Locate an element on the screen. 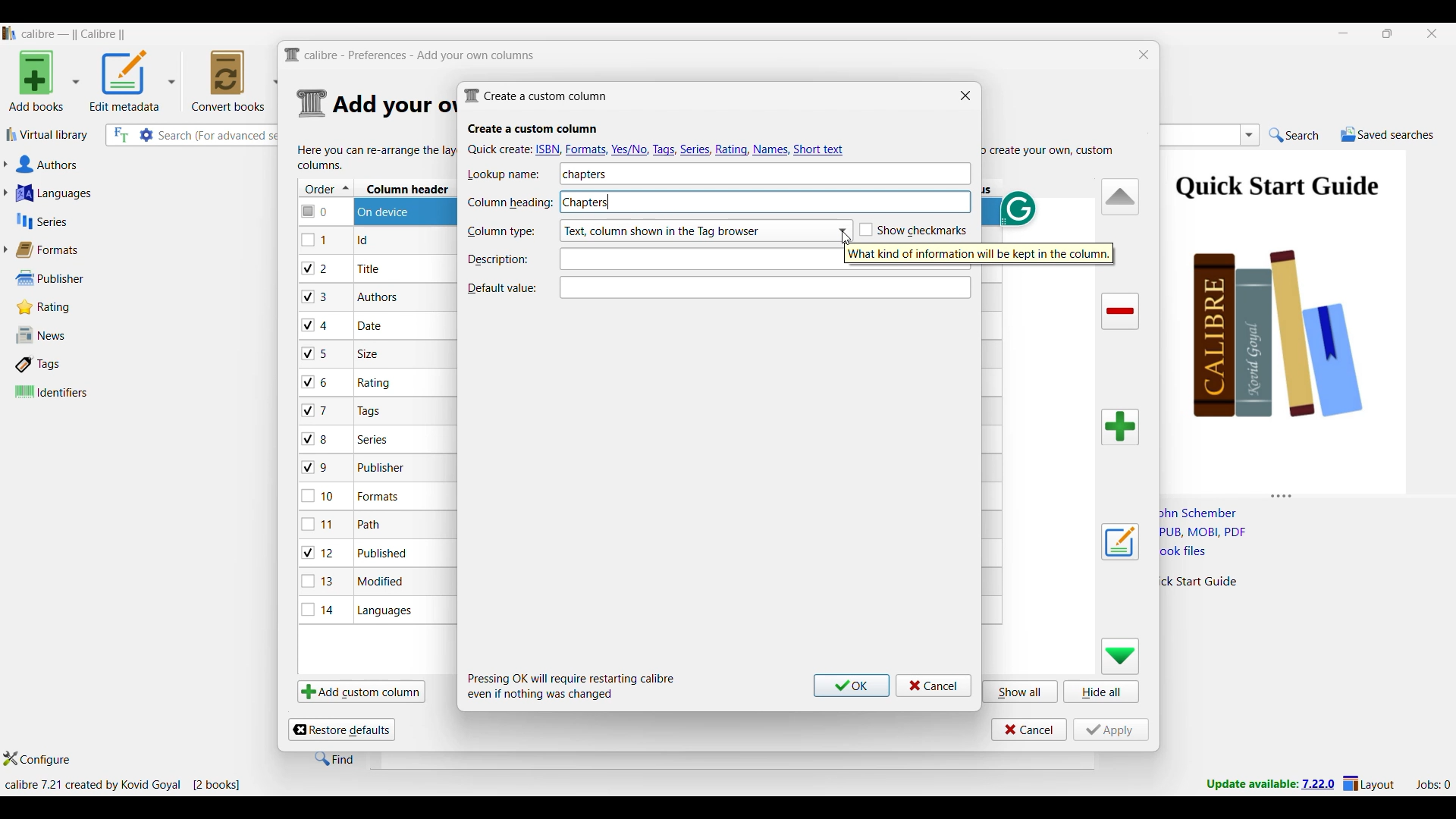  Find is located at coordinates (334, 758).